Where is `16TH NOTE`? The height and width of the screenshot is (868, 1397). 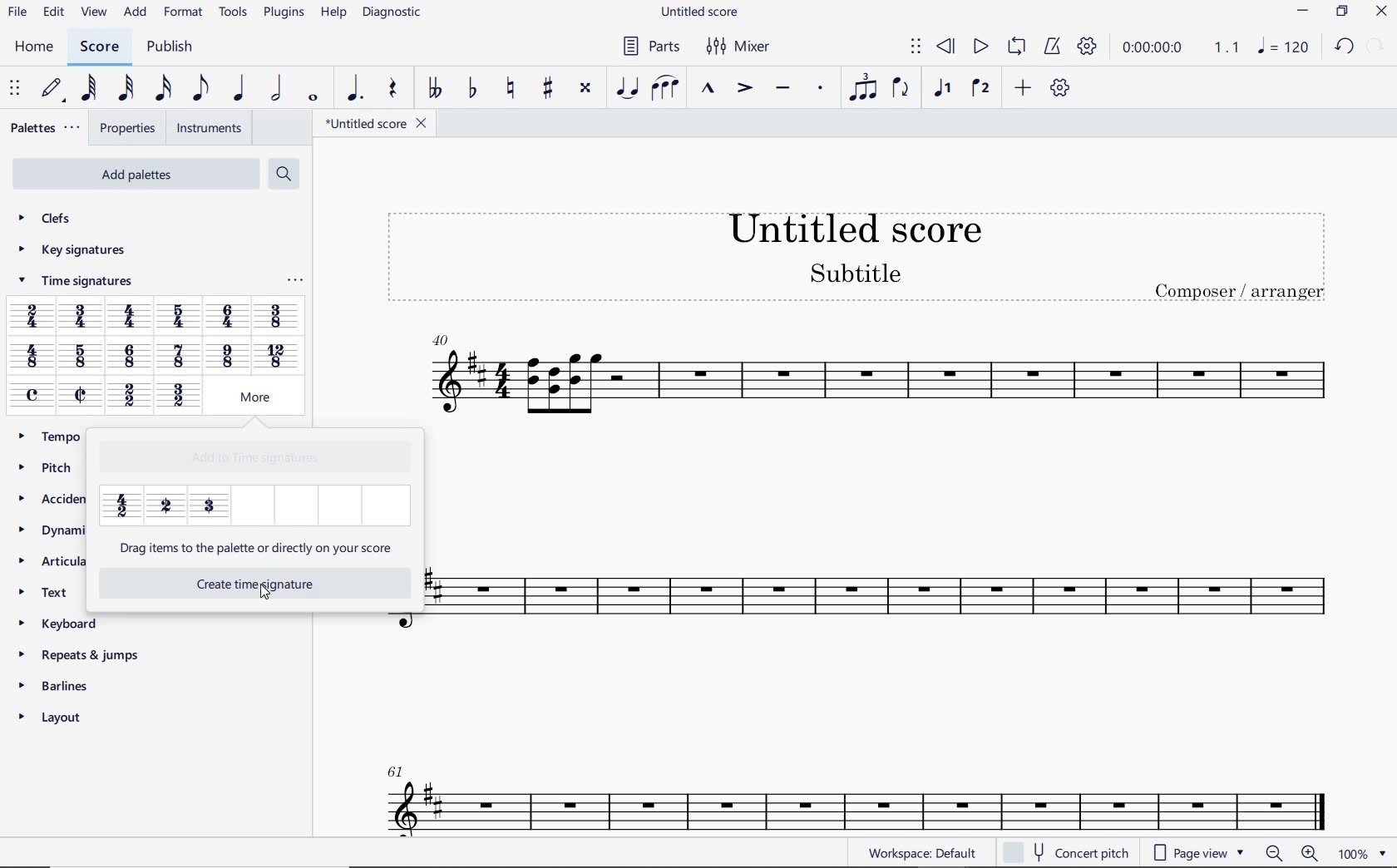 16TH NOTE is located at coordinates (160, 89).